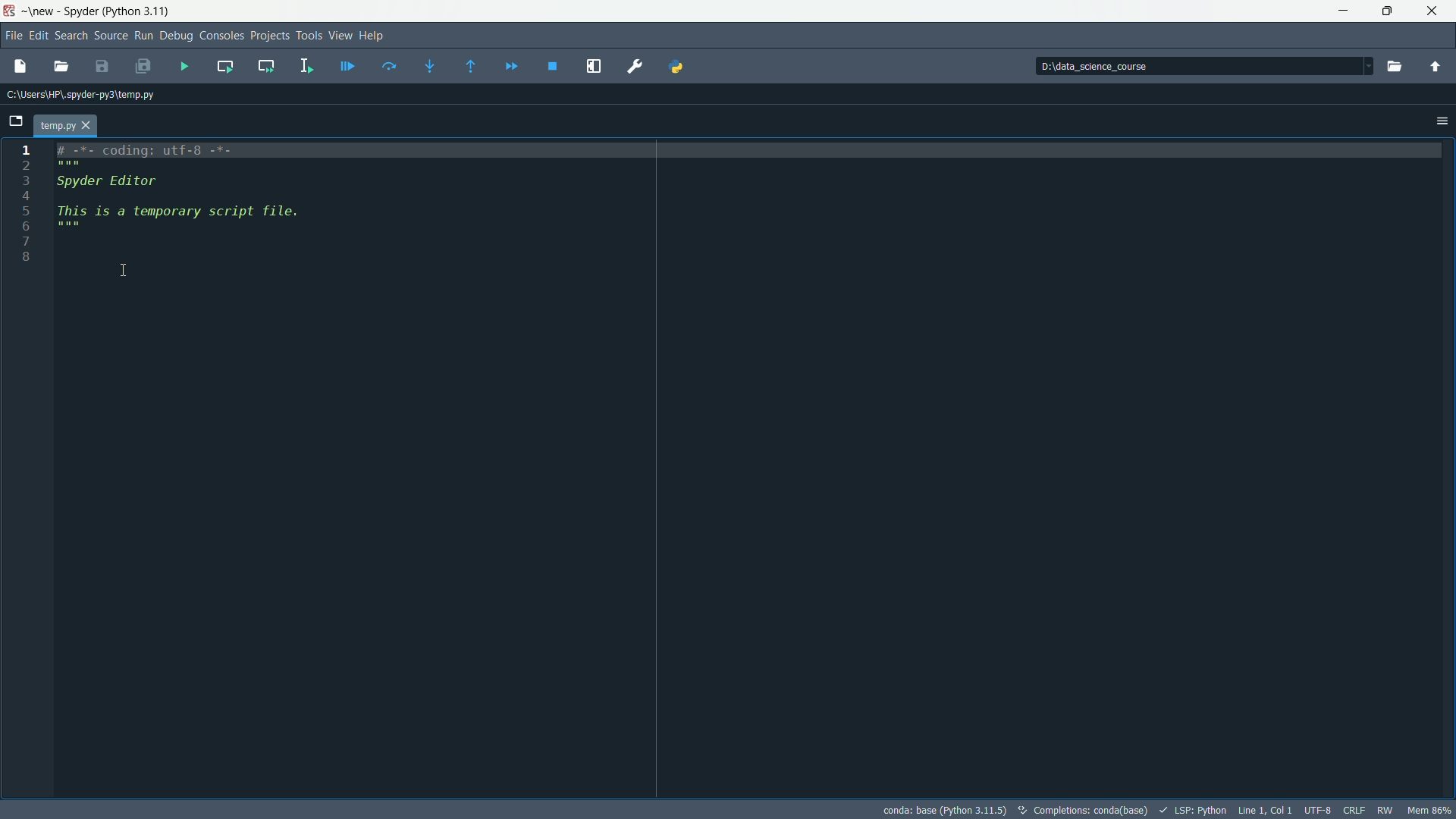 Image resolution: width=1456 pixels, height=819 pixels. What do you see at coordinates (14, 36) in the screenshot?
I see `file menu` at bounding box center [14, 36].